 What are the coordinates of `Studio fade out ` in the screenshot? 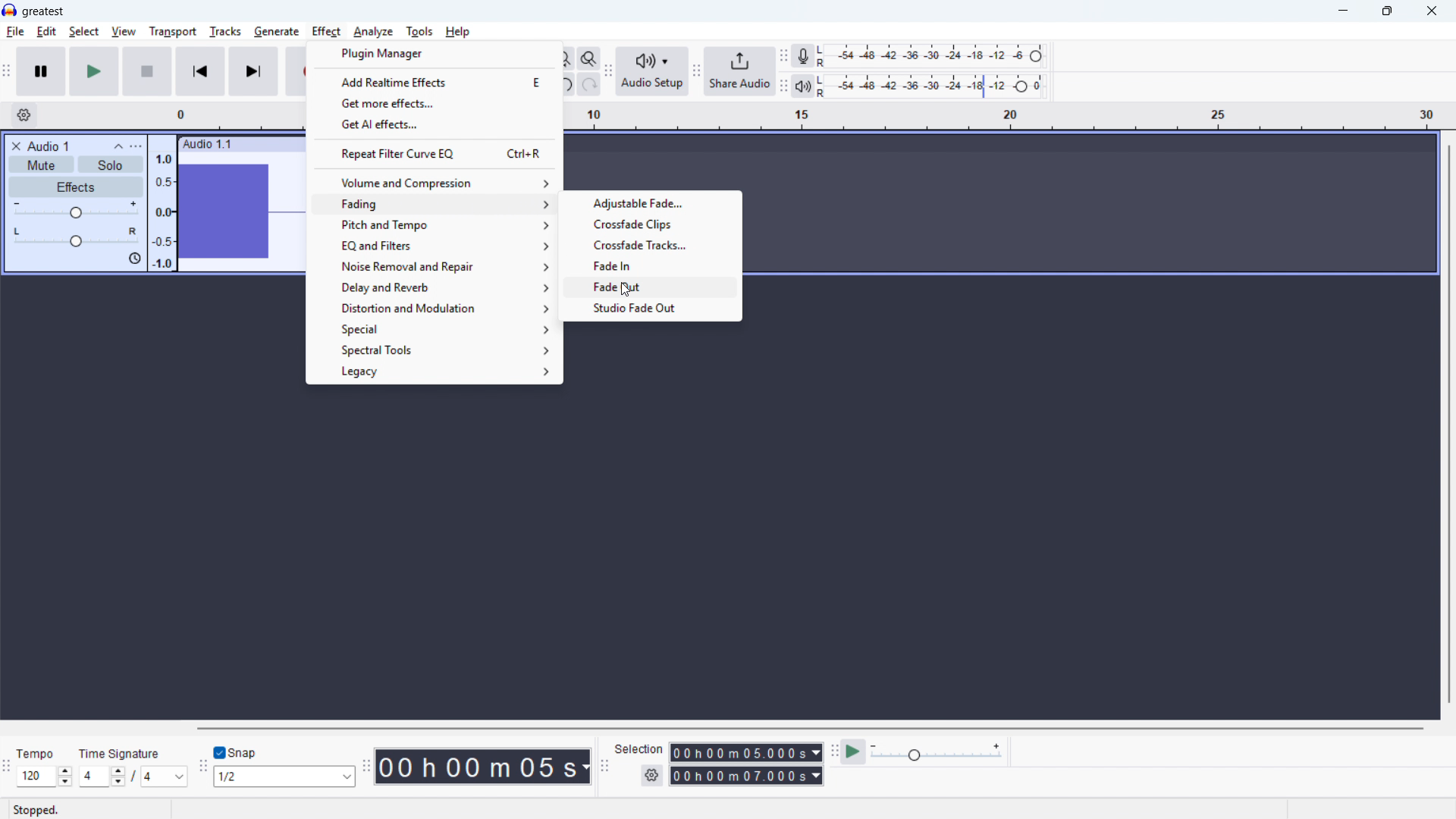 It's located at (650, 307).